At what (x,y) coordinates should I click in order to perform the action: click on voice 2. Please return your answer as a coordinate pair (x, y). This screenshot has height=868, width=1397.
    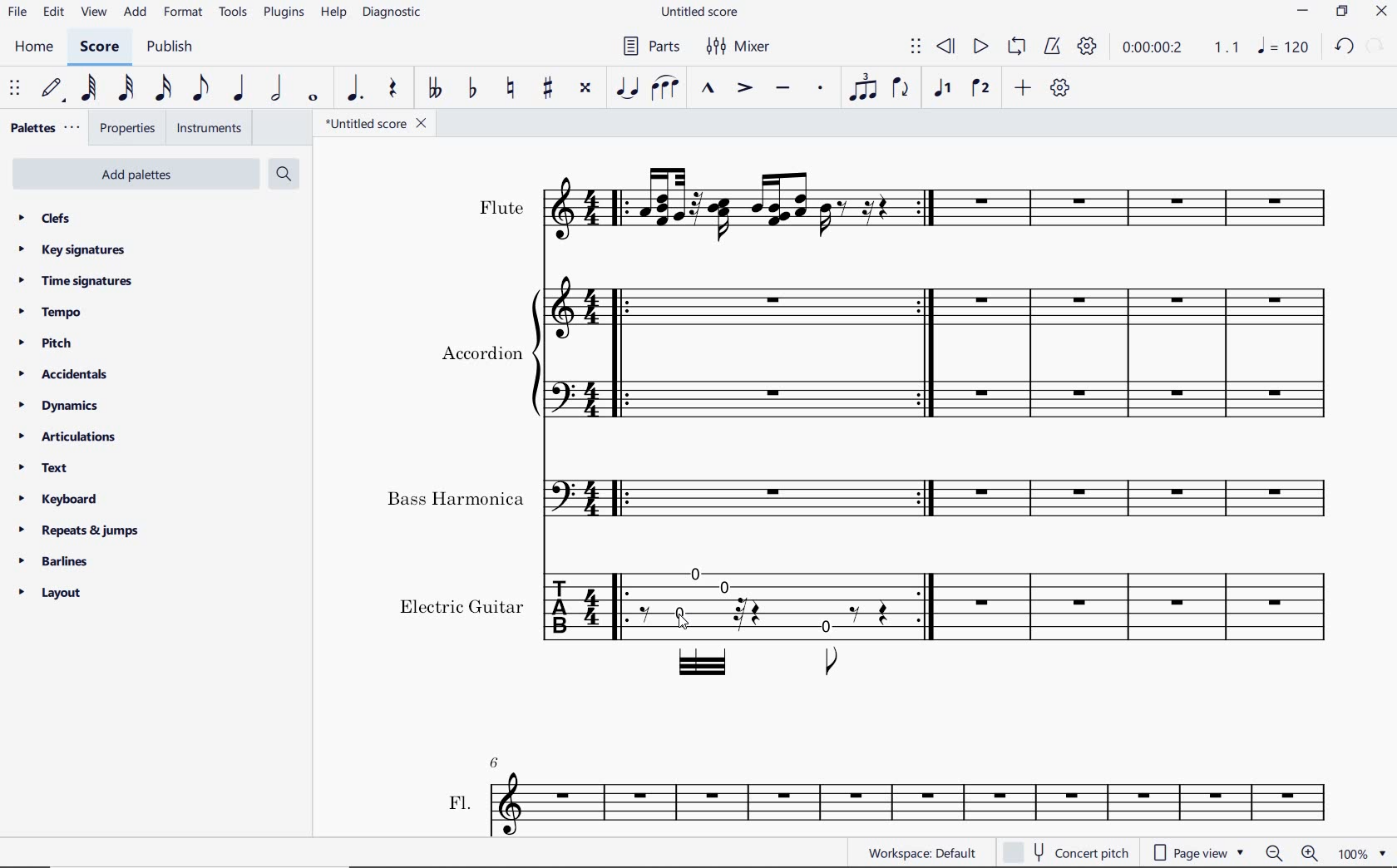
    Looking at the image, I should click on (982, 89).